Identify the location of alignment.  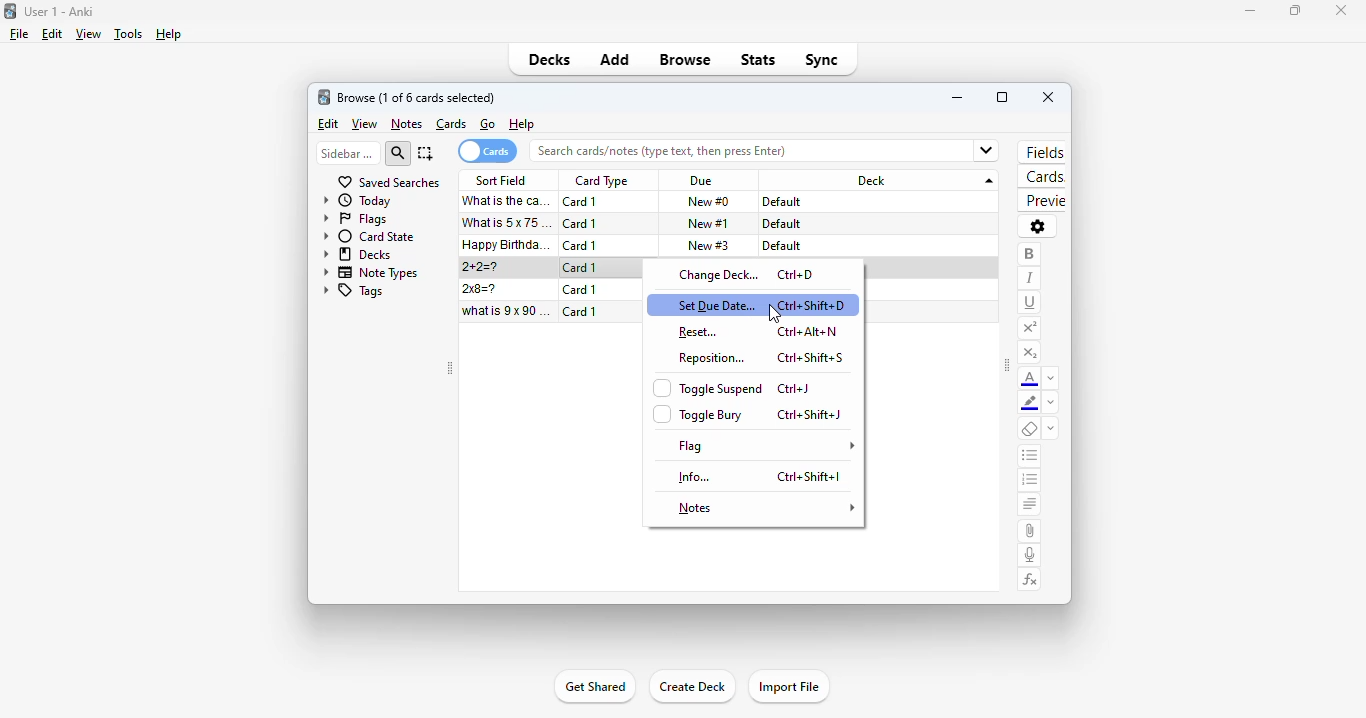
(1029, 506).